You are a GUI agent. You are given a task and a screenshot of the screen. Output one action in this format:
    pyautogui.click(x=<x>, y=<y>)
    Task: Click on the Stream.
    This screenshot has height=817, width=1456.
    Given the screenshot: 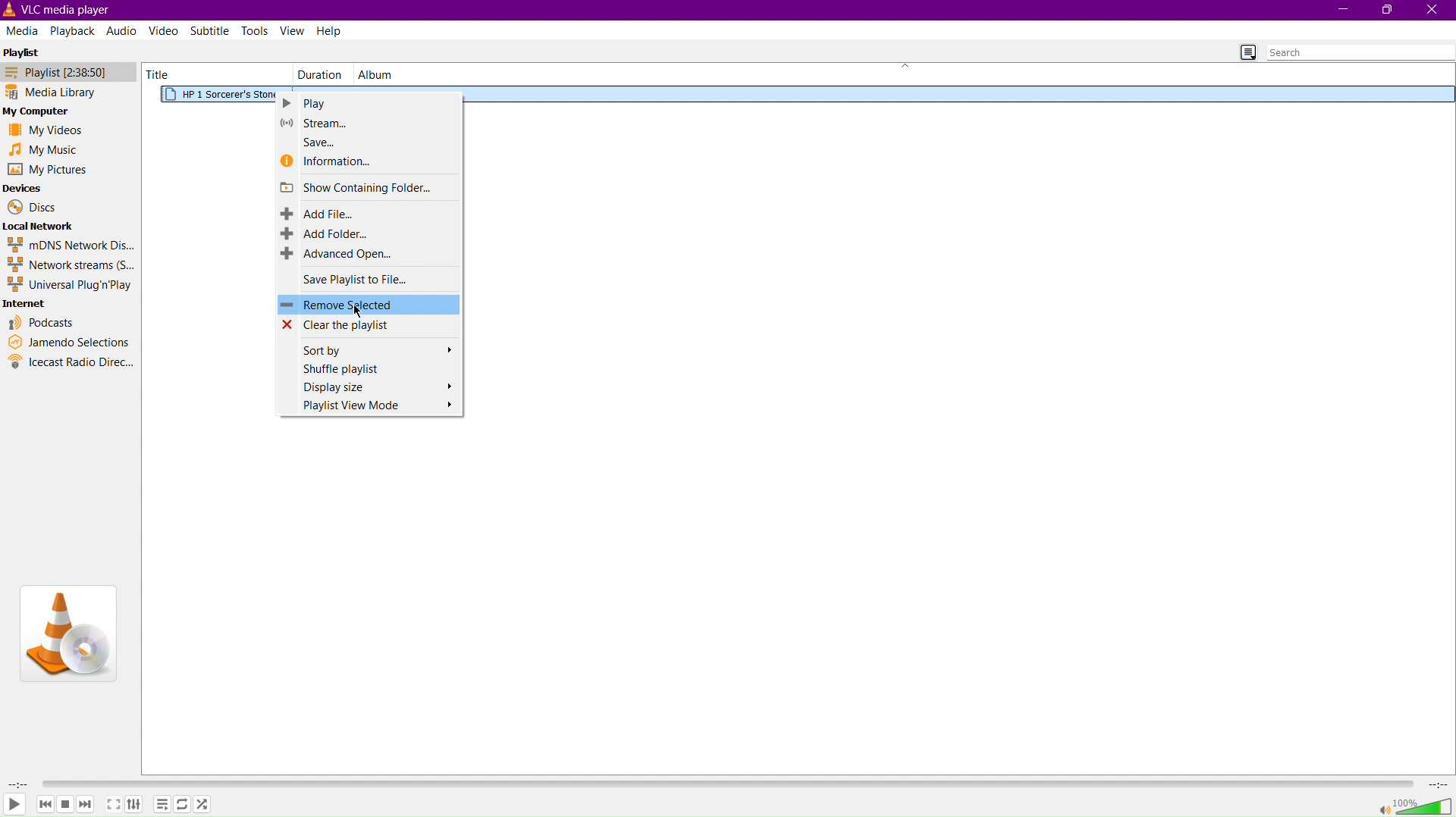 What is the action you would take?
    pyautogui.click(x=372, y=123)
    